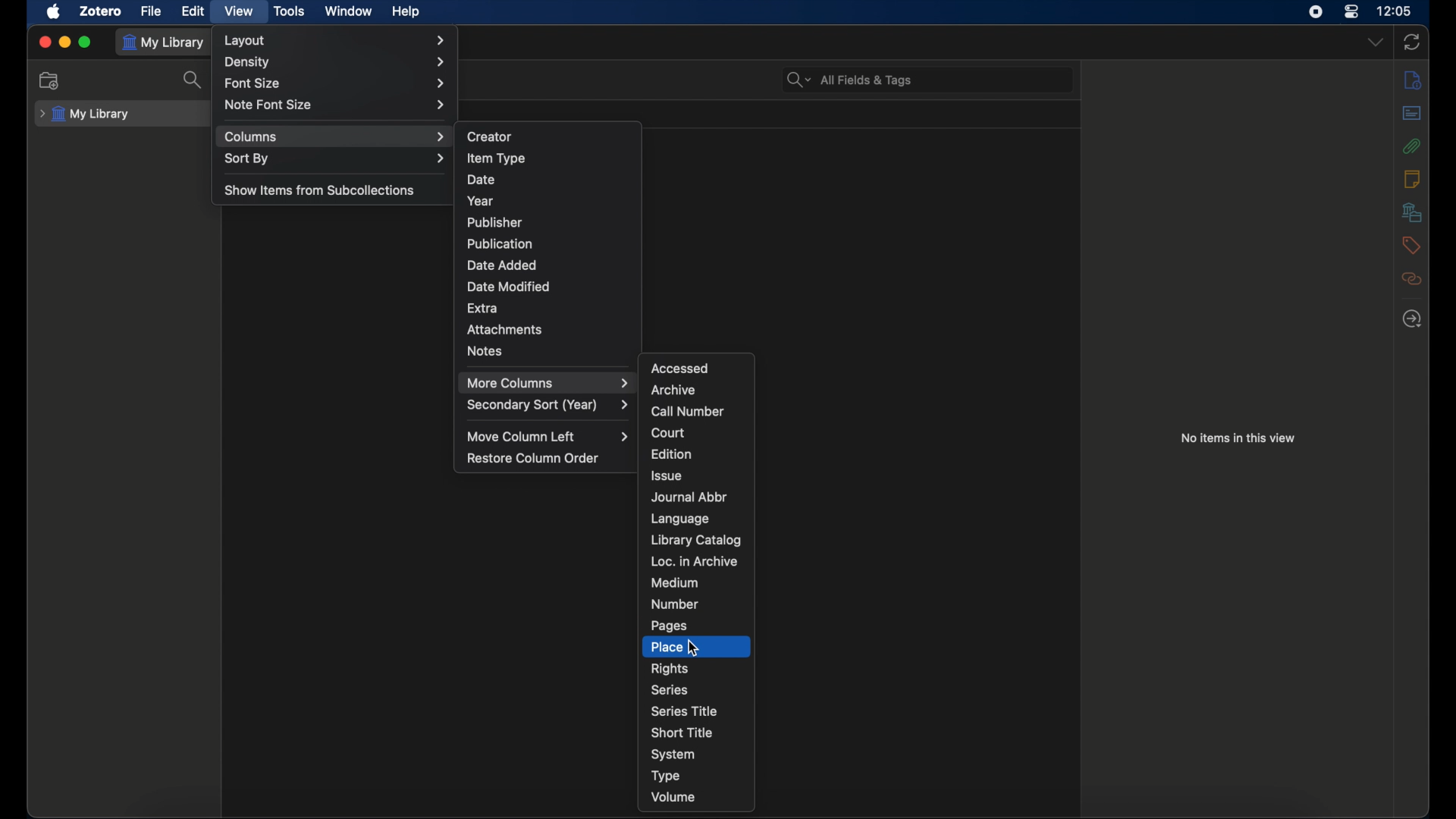 This screenshot has height=819, width=1456. What do you see at coordinates (1376, 42) in the screenshot?
I see `dropdown` at bounding box center [1376, 42].